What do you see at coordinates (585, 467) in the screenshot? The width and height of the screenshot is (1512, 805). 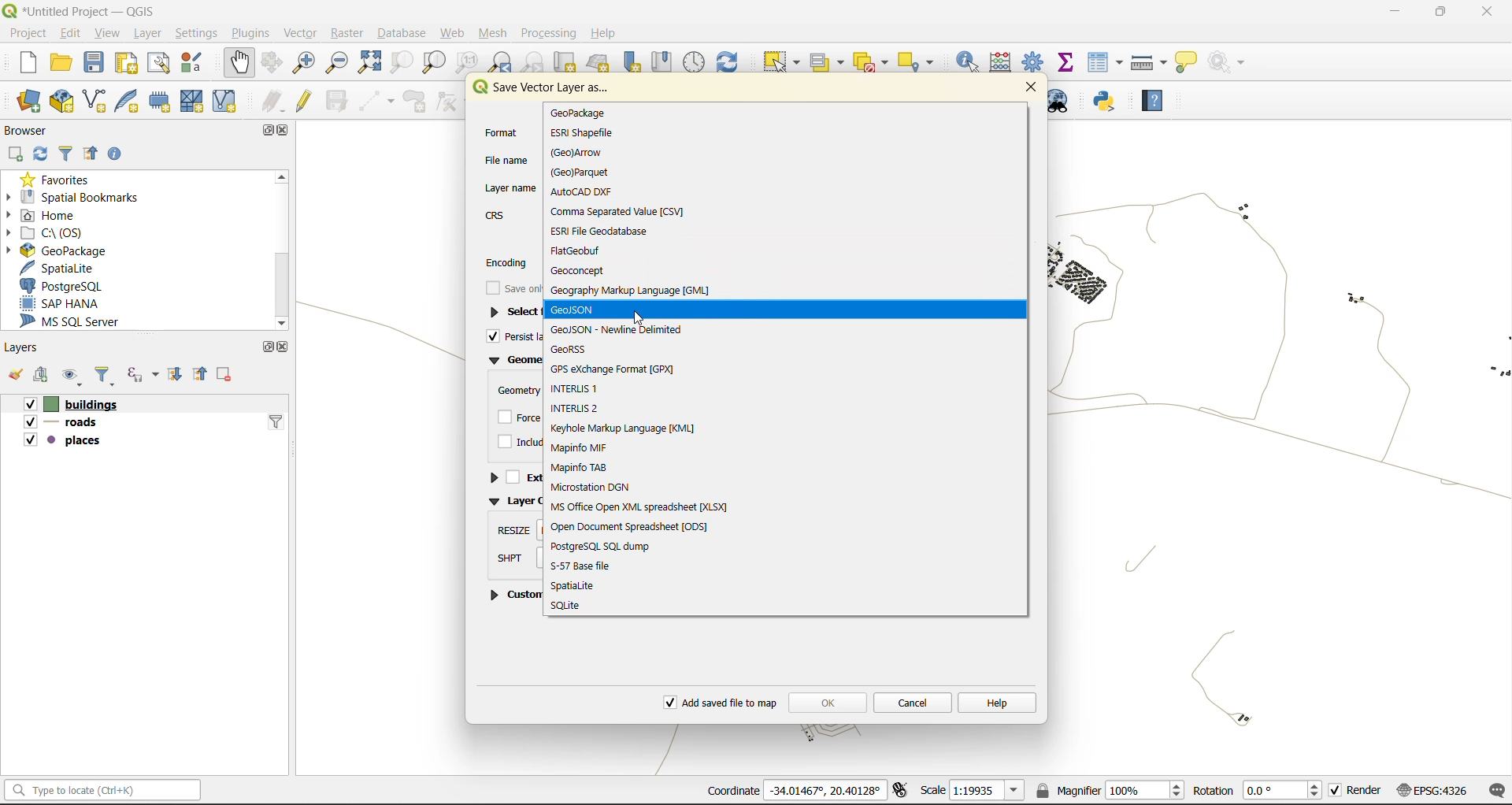 I see `mapinfo tab` at bounding box center [585, 467].